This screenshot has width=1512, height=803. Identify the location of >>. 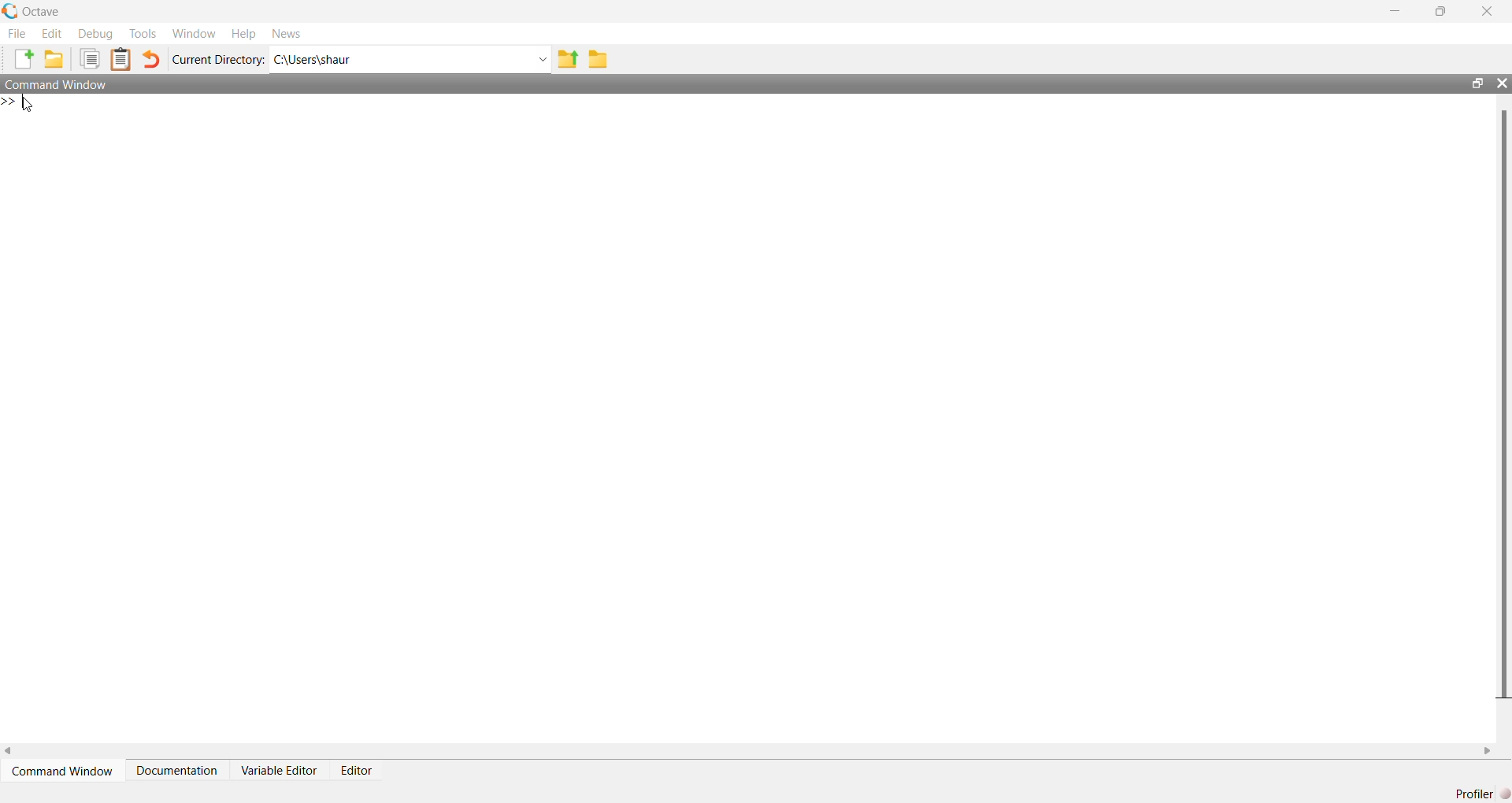
(9, 102).